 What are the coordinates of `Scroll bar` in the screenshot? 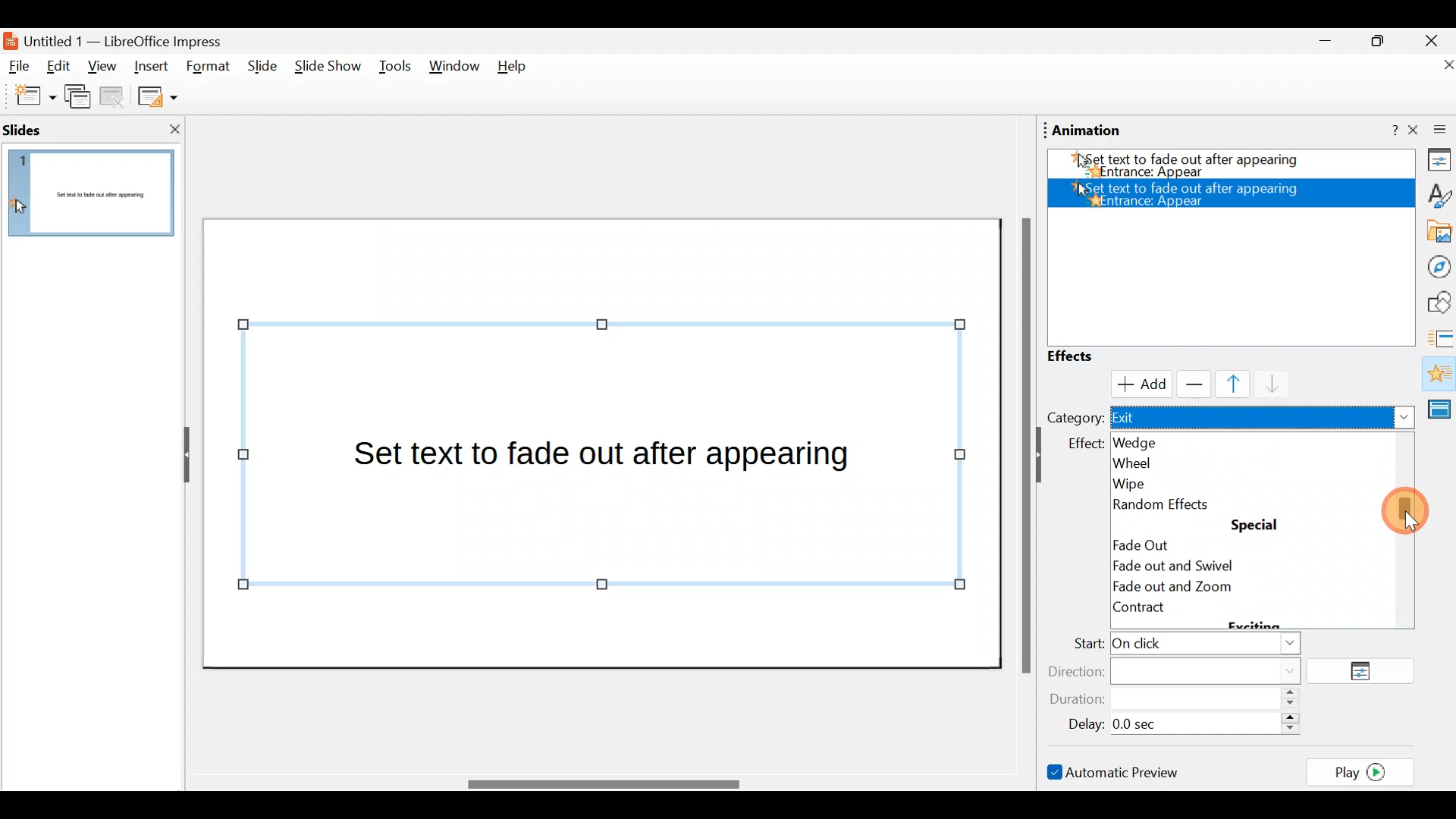 It's located at (1023, 444).